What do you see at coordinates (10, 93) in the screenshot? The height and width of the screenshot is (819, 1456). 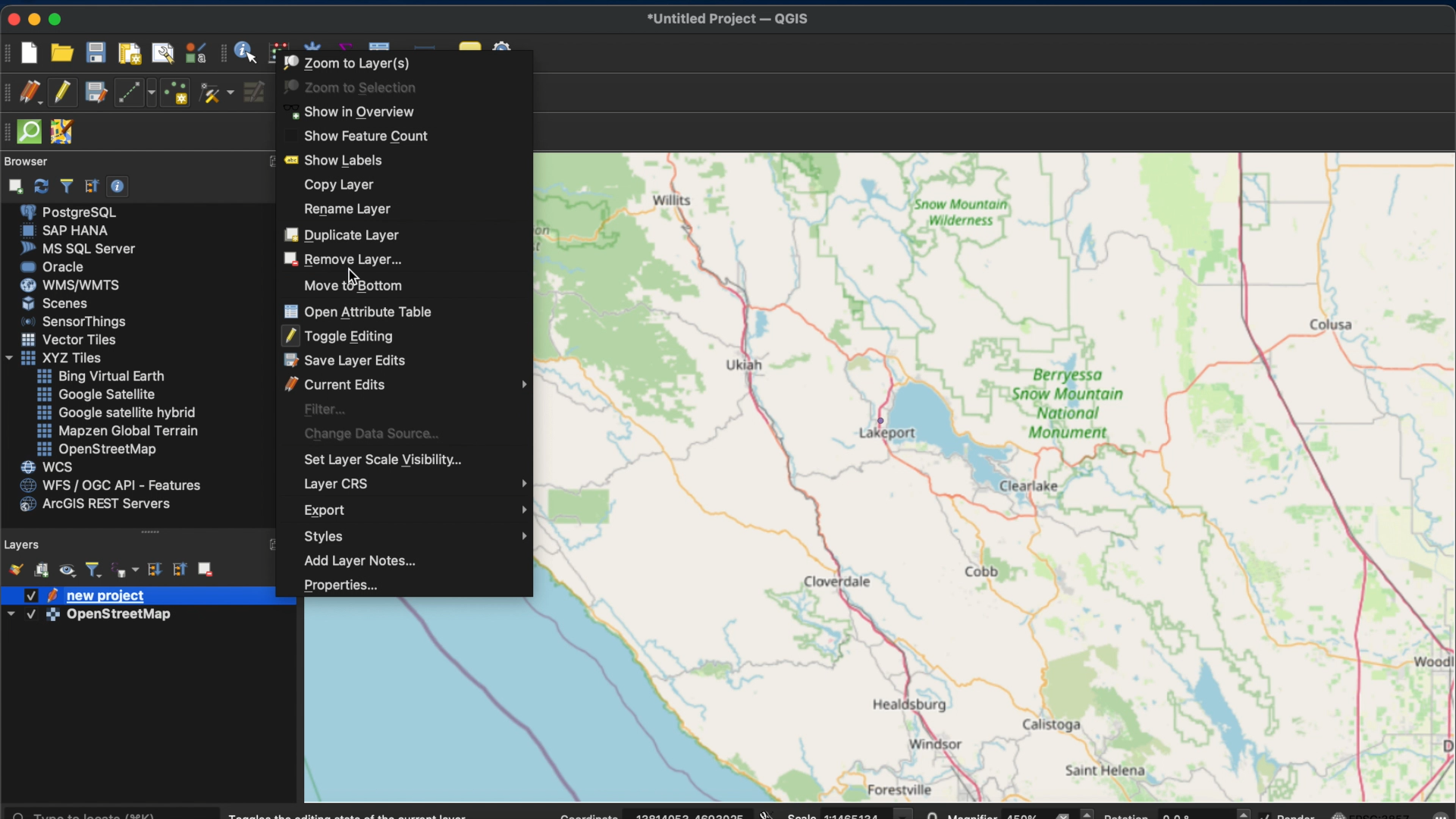 I see `digitizing tool bar` at bounding box center [10, 93].